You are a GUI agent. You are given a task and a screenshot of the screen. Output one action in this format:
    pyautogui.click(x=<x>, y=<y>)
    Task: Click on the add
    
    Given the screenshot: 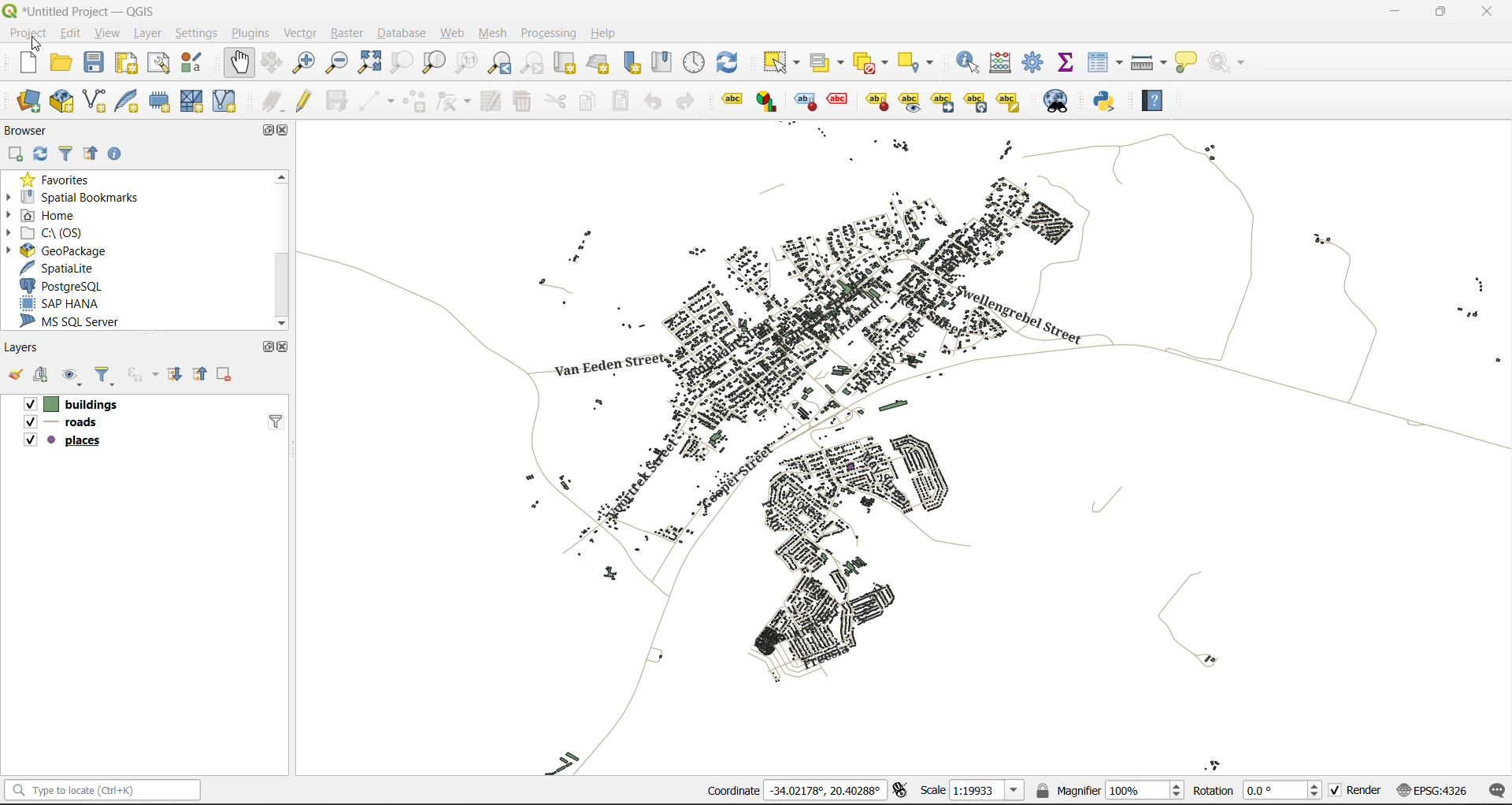 What is the action you would take?
    pyautogui.click(x=39, y=376)
    